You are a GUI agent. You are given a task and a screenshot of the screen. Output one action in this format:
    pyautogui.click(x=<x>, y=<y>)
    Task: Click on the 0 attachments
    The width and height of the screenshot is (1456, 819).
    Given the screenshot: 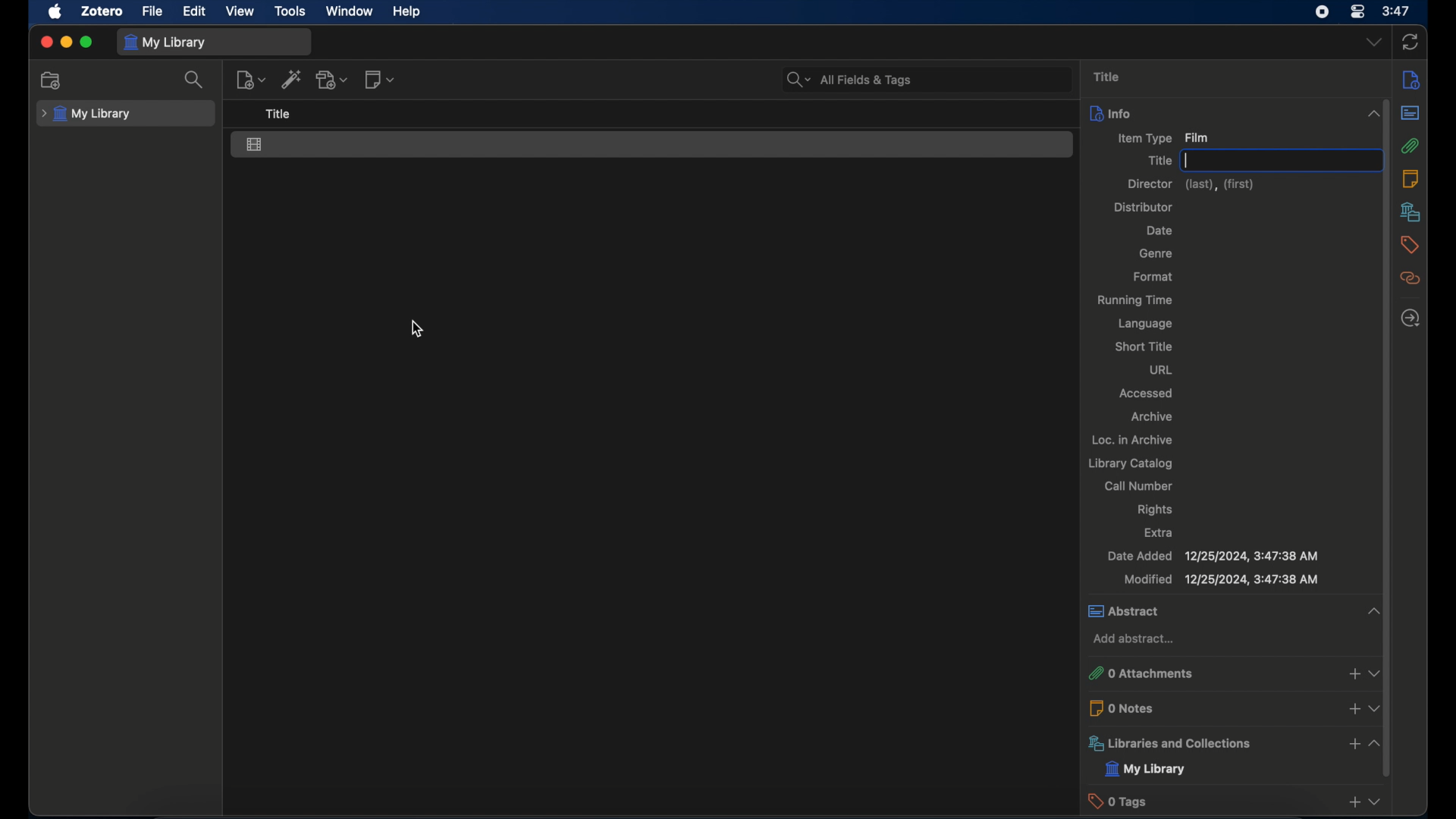 What is the action you would take?
    pyautogui.click(x=1201, y=673)
    